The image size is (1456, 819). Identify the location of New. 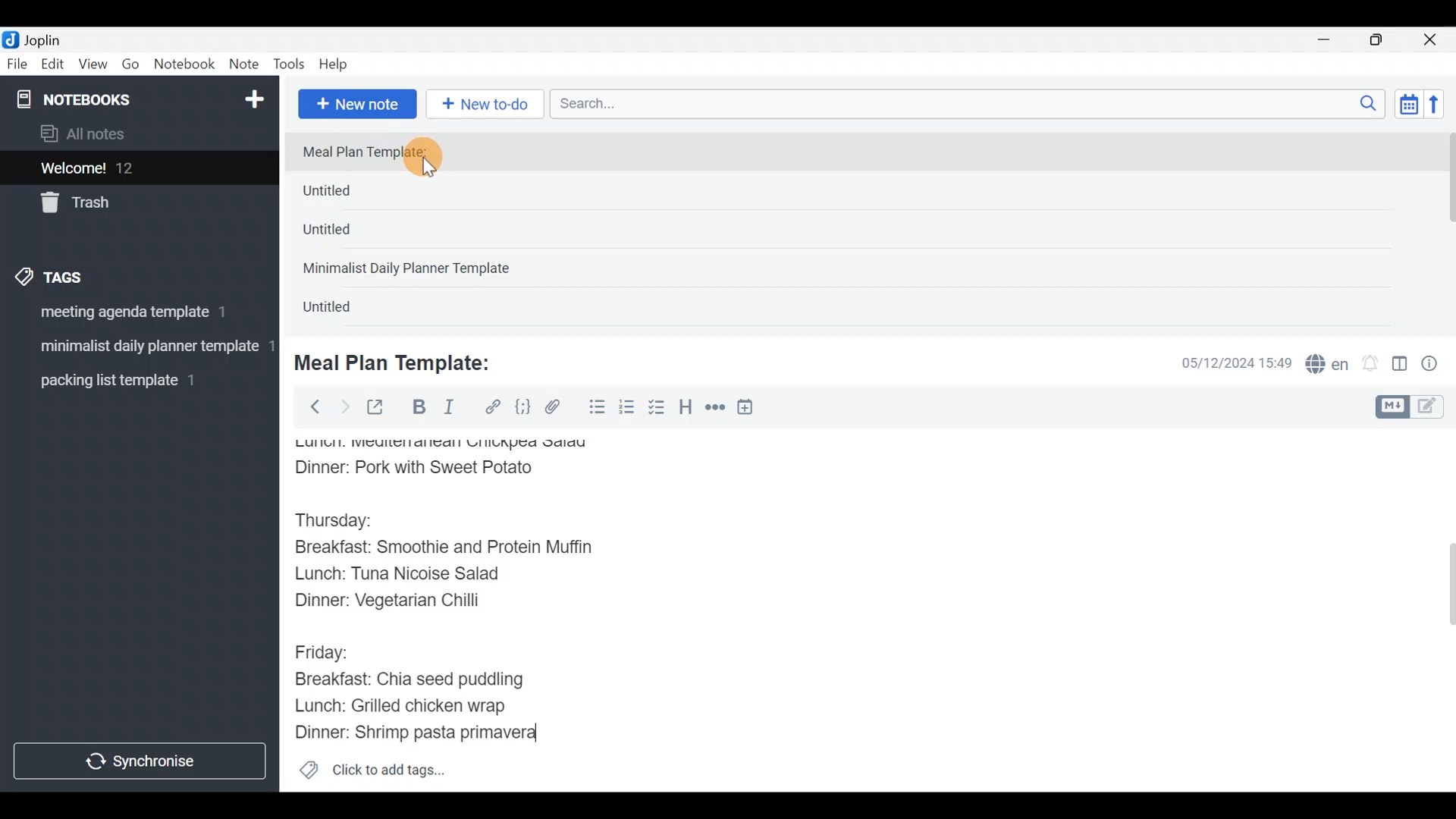
(253, 96).